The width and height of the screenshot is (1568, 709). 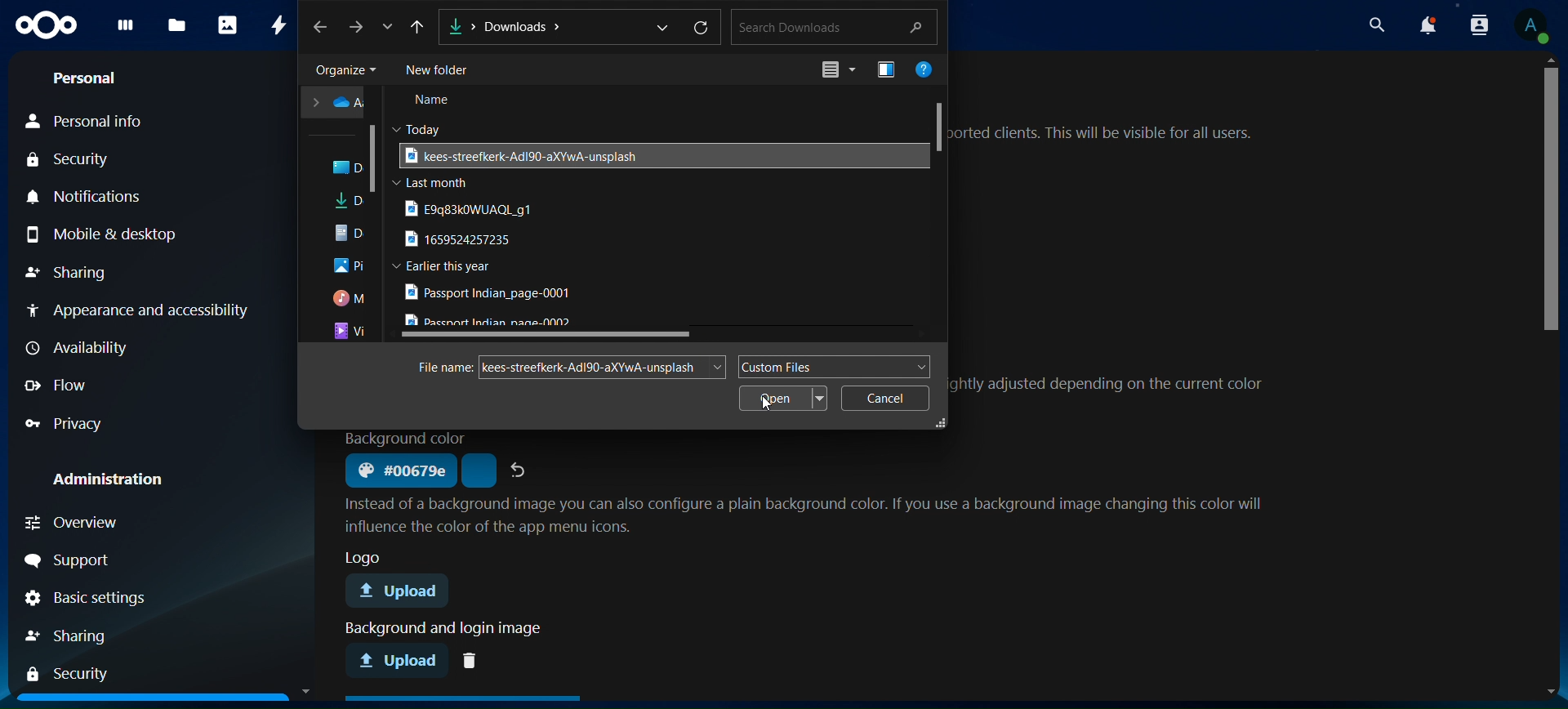 I want to click on today, so click(x=423, y=127).